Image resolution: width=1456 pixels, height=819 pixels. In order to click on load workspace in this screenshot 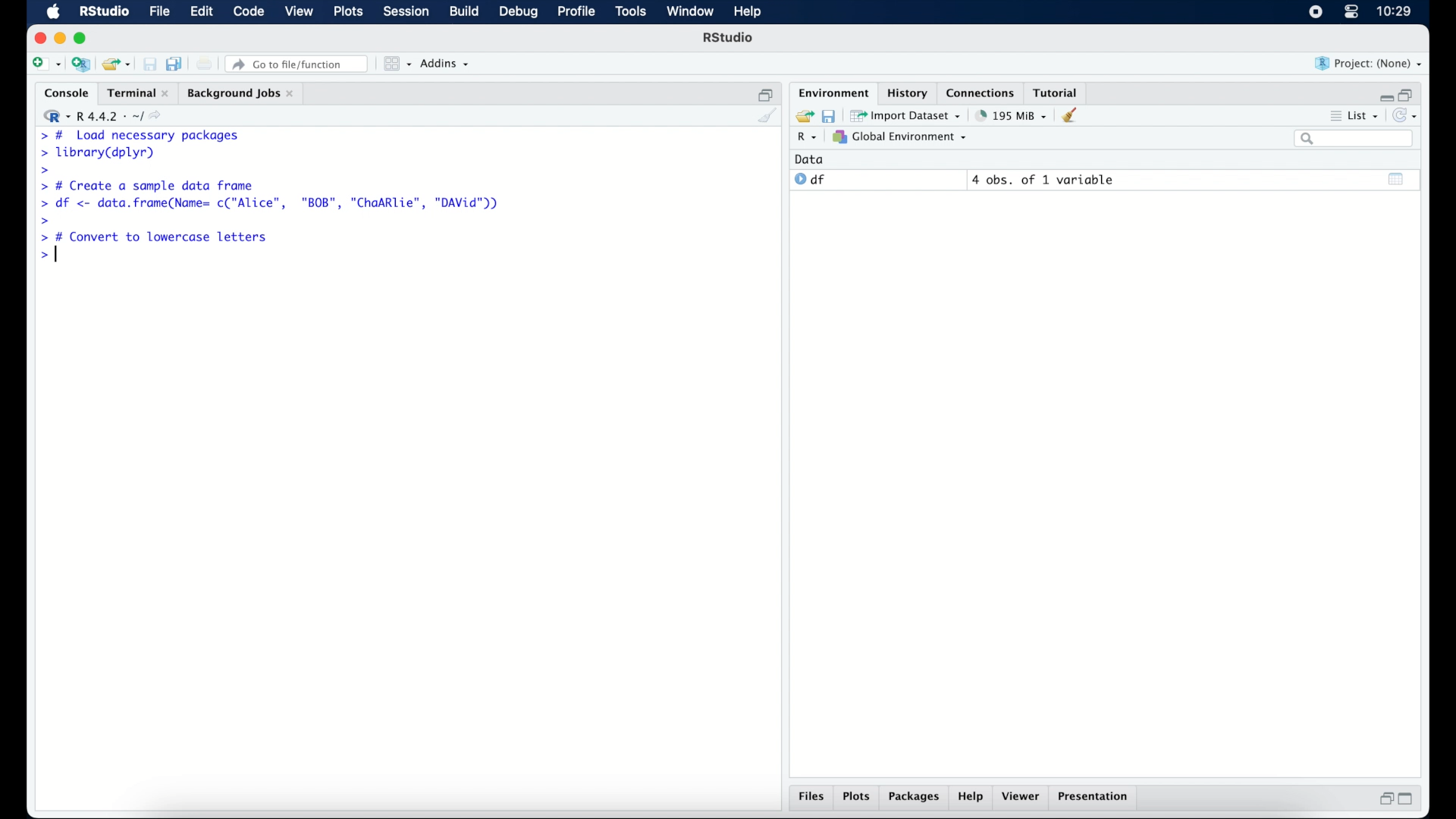, I will do `click(802, 115)`.